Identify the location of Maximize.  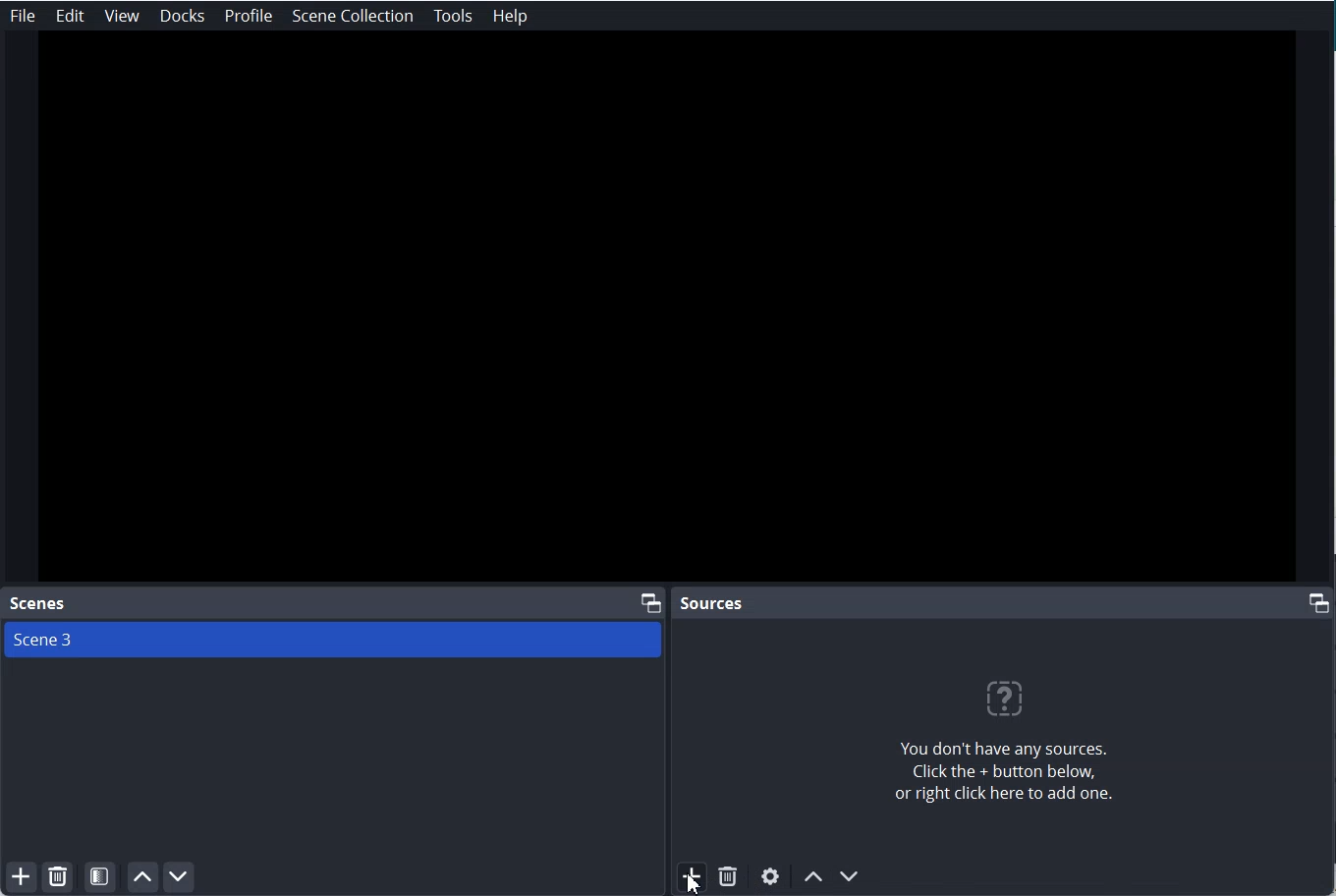
(651, 601).